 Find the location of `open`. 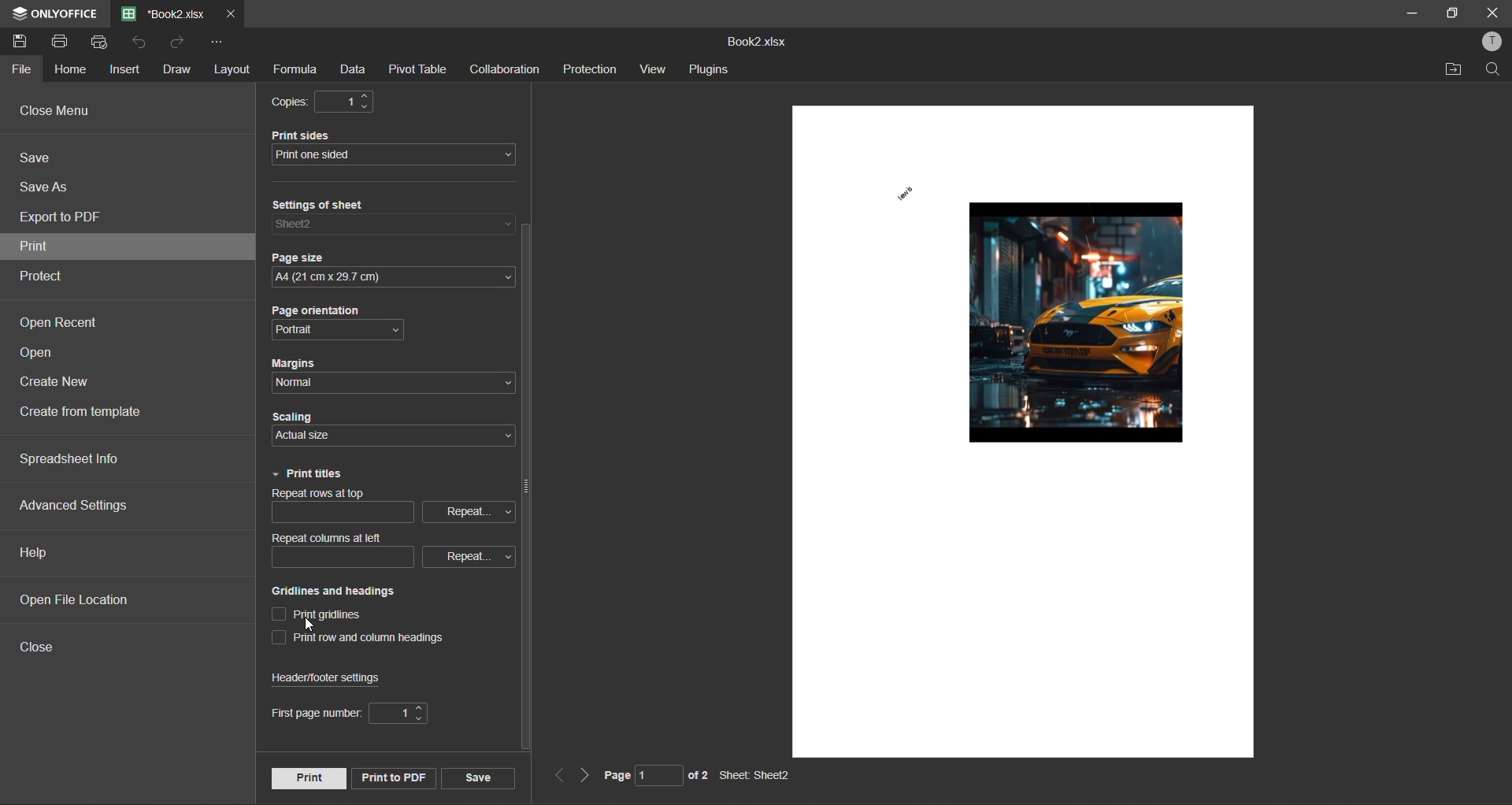

open is located at coordinates (42, 354).